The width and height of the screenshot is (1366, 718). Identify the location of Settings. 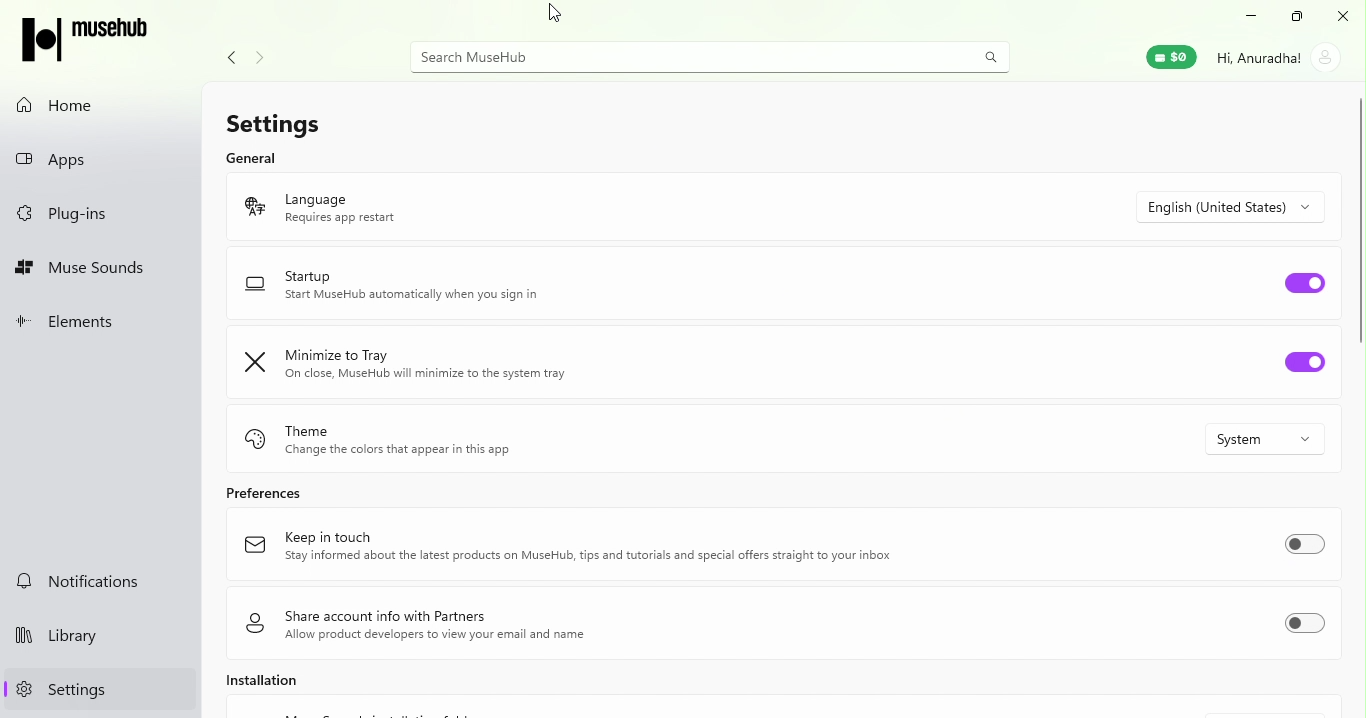
(97, 690).